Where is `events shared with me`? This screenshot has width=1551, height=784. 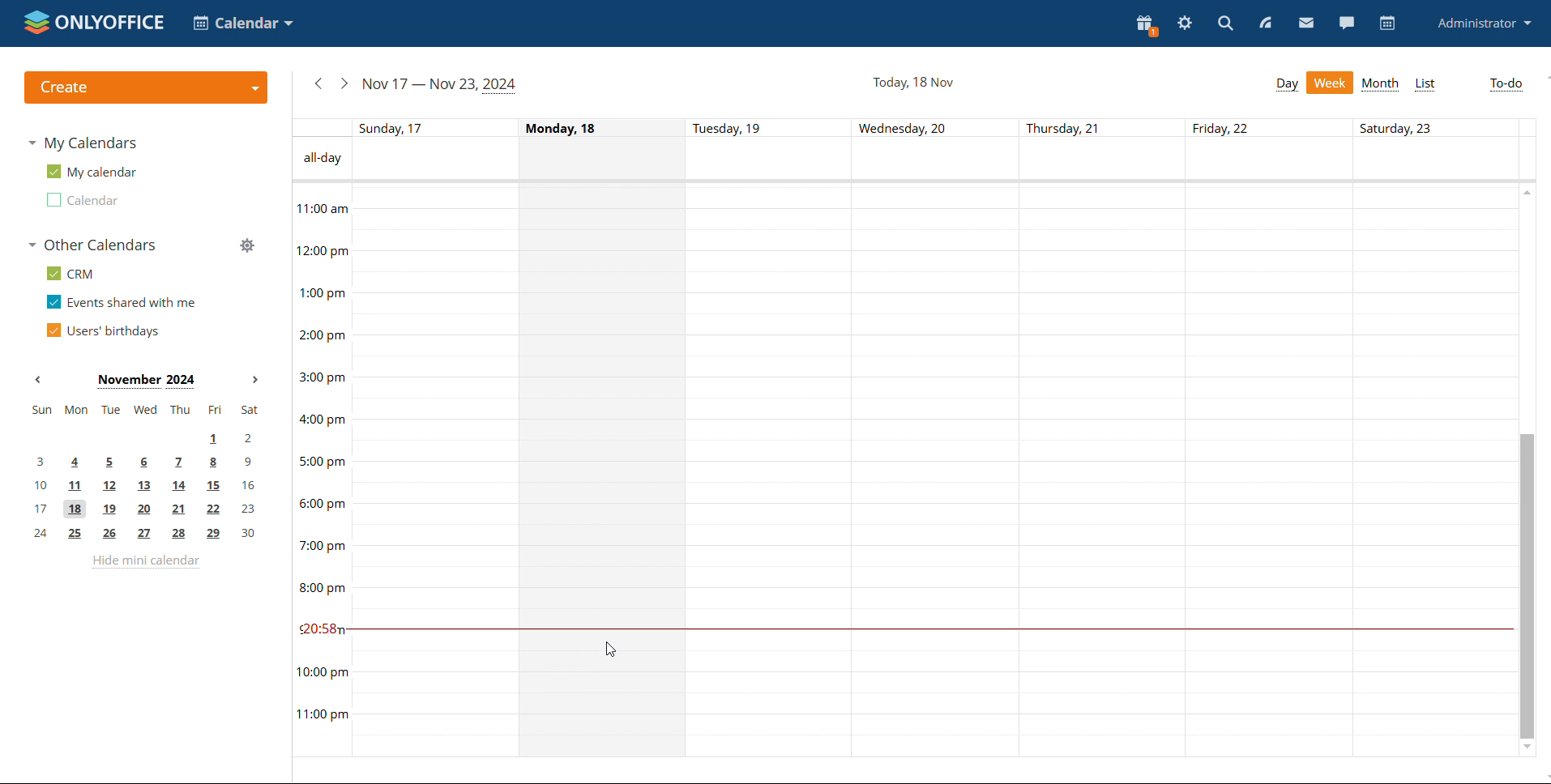
events shared with me is located at coordinates (120, 303).